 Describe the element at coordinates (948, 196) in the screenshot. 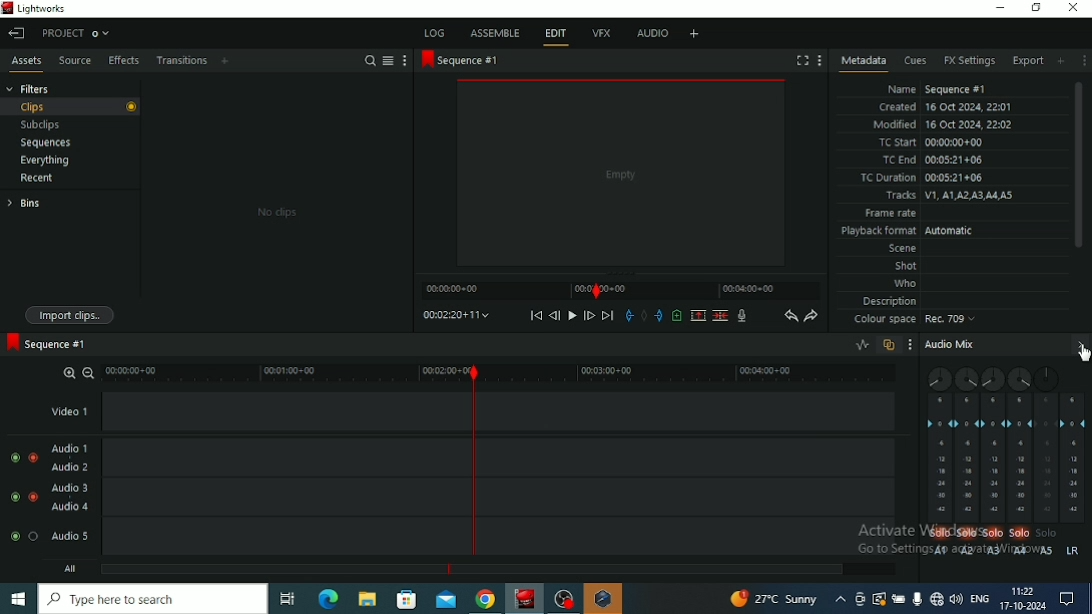

I see `Tracks` at that location.